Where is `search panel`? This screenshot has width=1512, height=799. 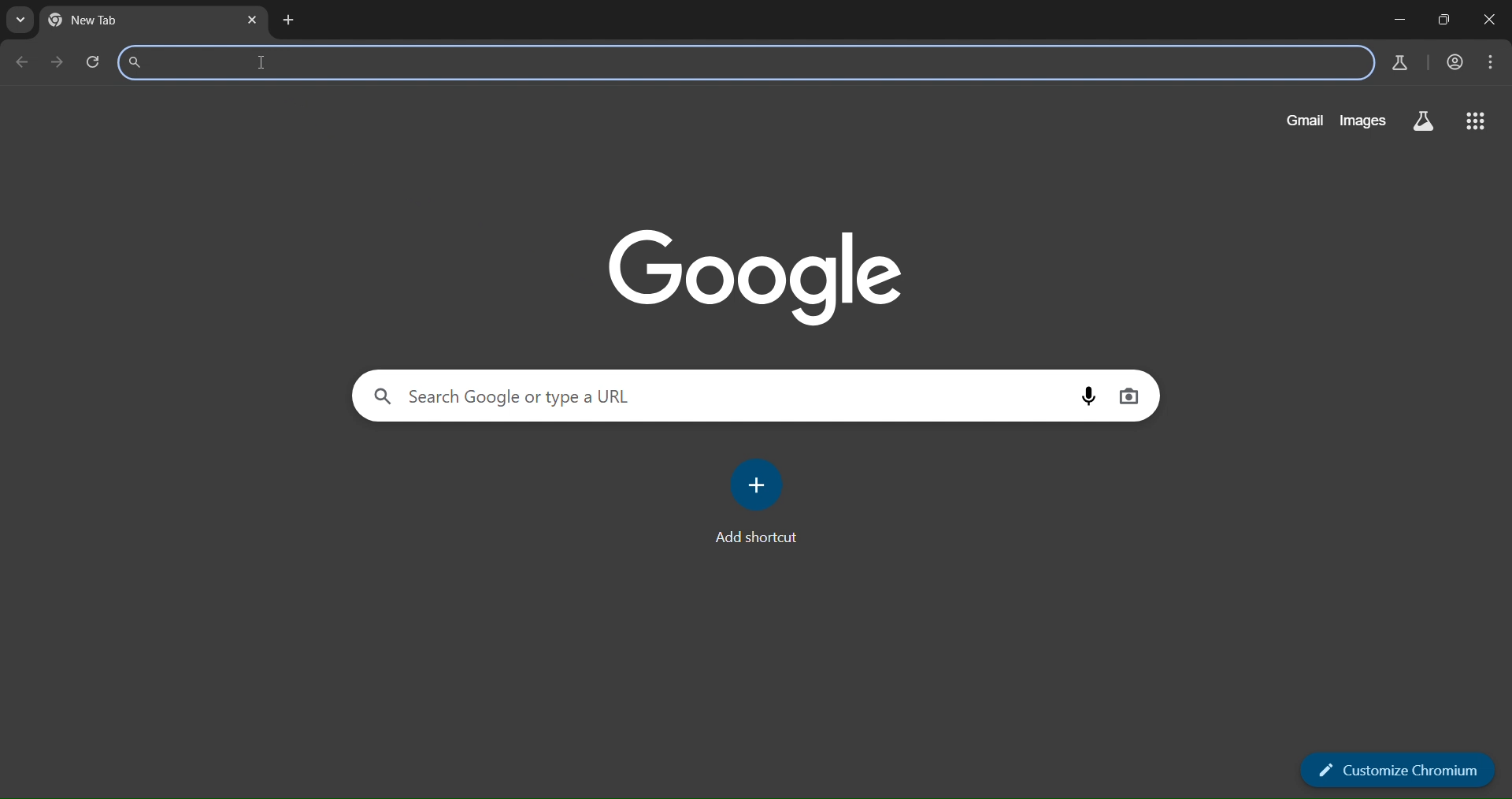 search panel is located at coordinates (501, 396).